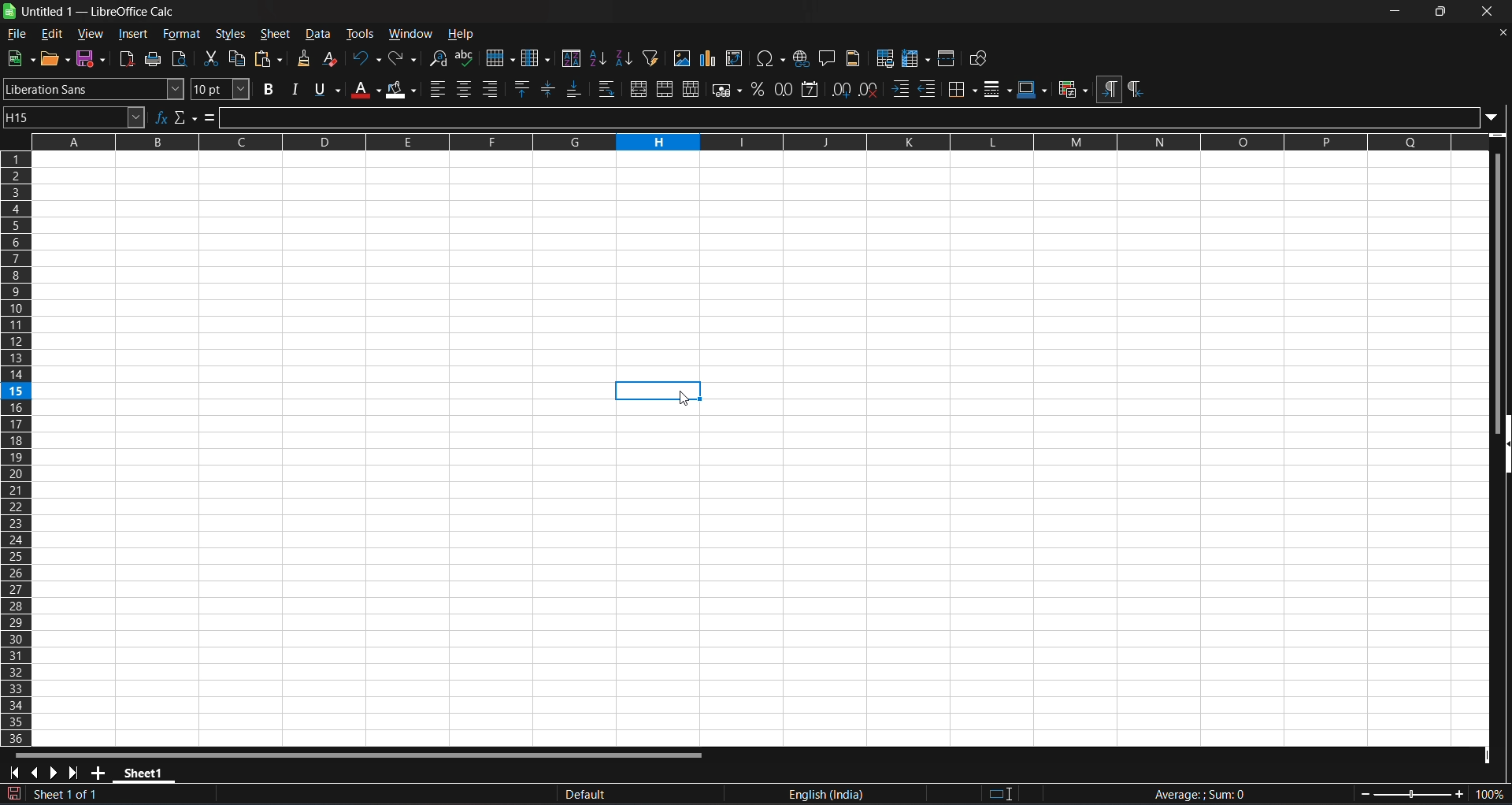 The image size is (1512, 805). Describe the element at coordinates (132, 35) in the screenshot. I see `insert` at that location.